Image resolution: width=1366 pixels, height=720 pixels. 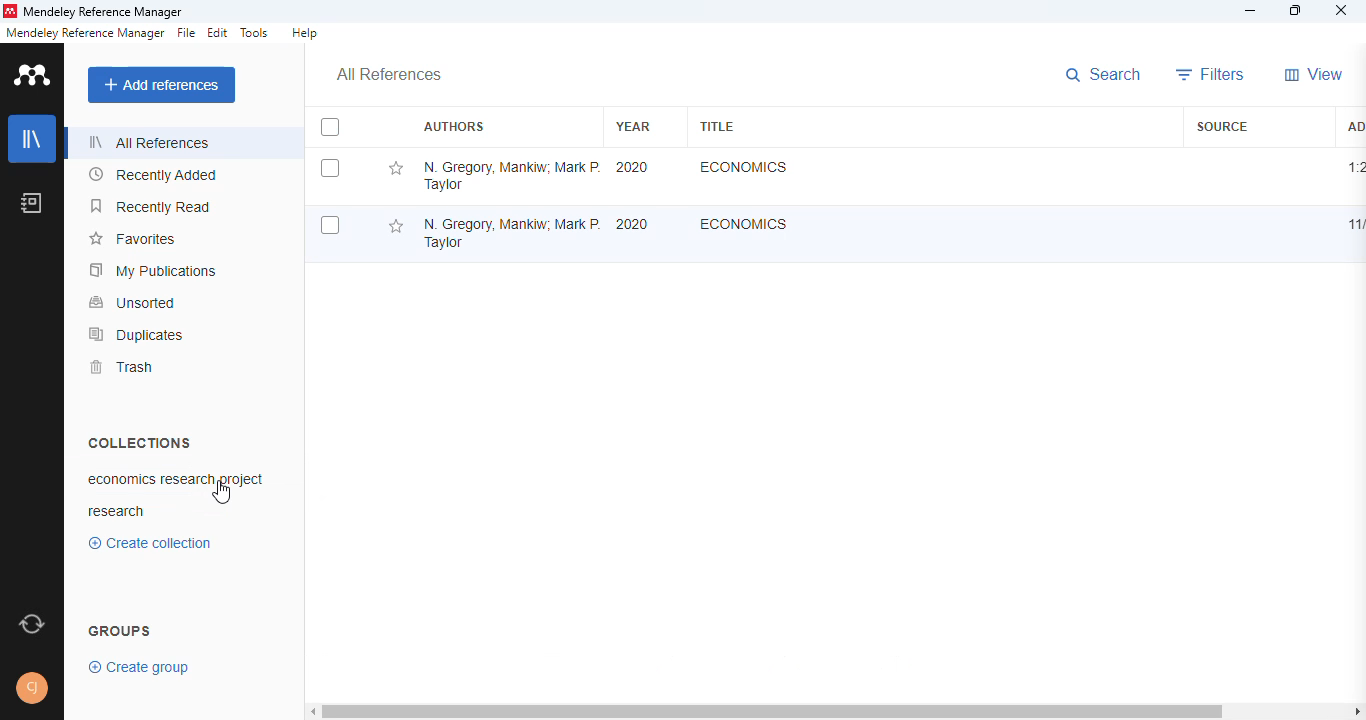 What do you see at coordinates (839, 711) in the screenshot?
I see `horizontal scroll bar` at bounding box center [839, 711].